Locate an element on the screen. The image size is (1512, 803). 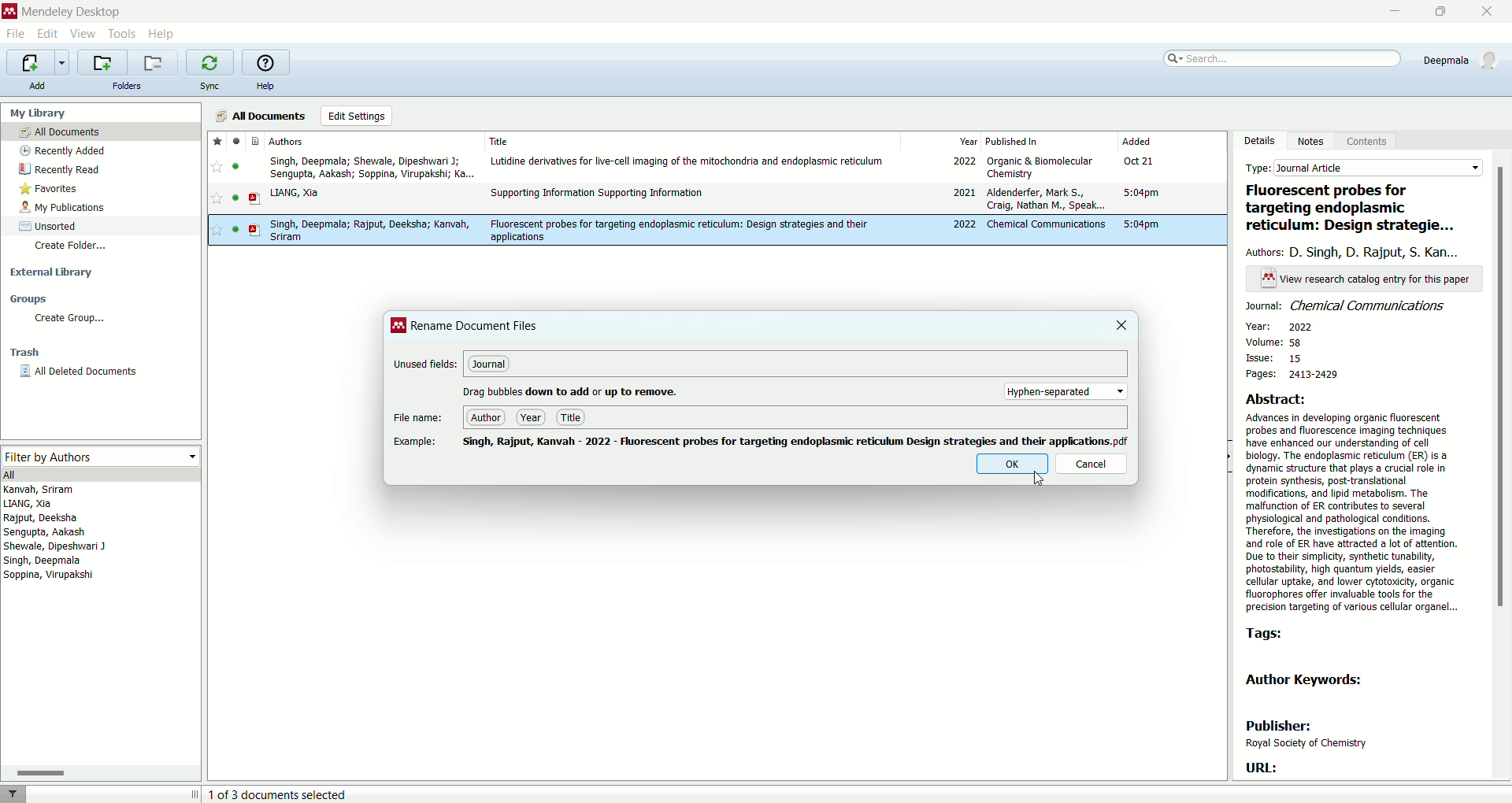
my library is located at coordinates (40, 113).